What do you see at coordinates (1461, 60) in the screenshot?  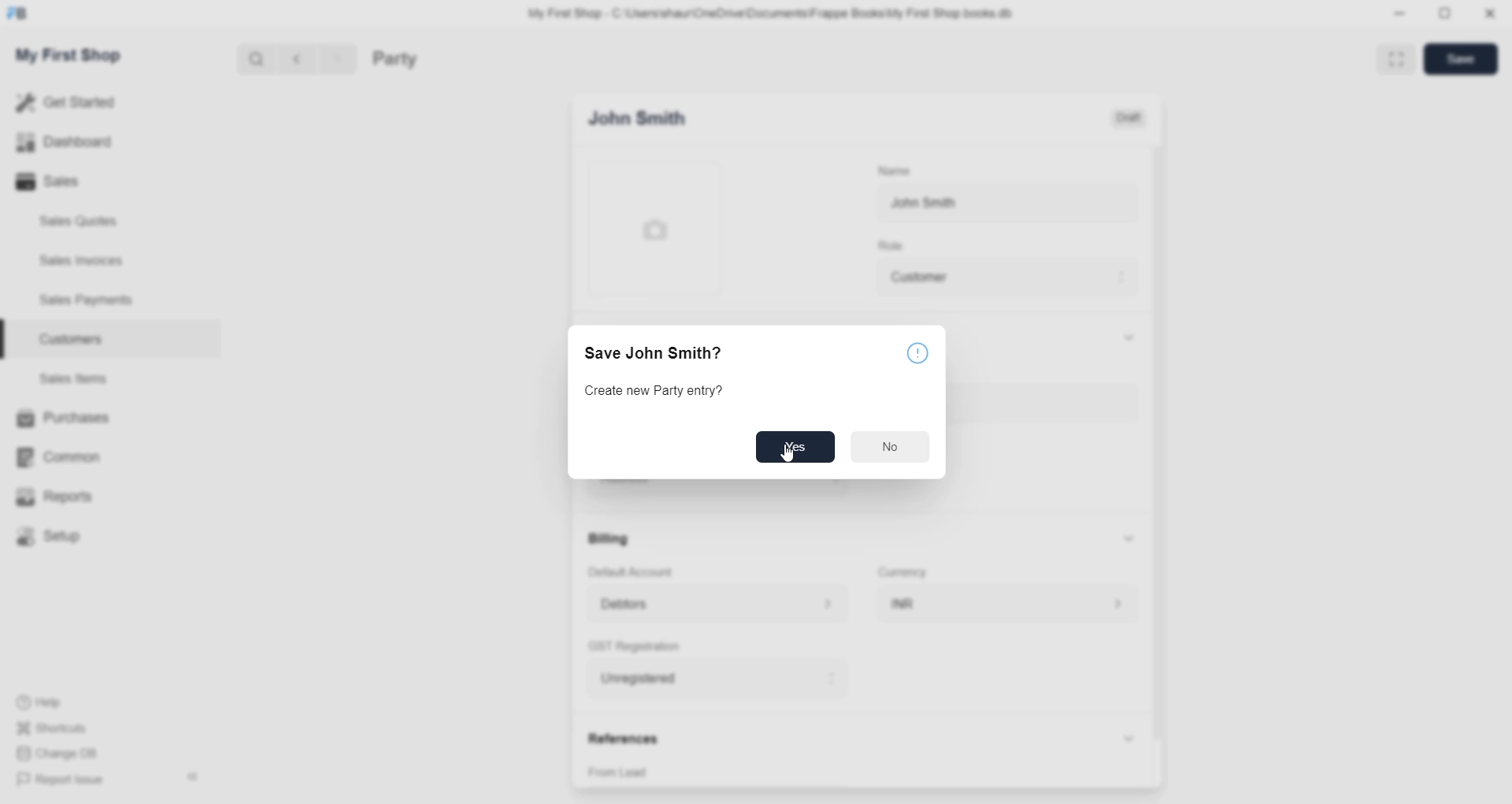 I see `save` at bounding box center [1461, 60].